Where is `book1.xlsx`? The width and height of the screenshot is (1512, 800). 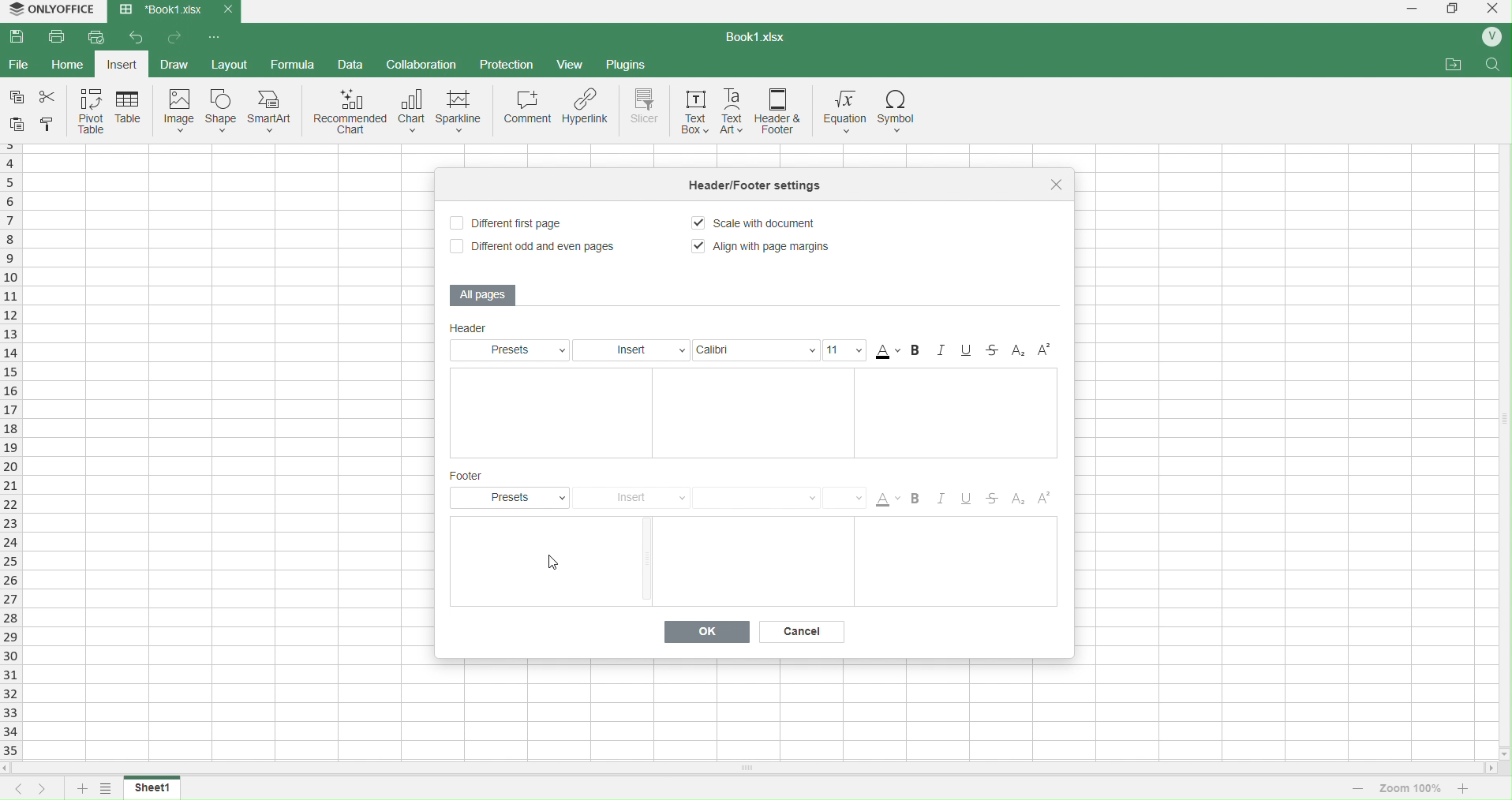 book1.xlsx is located at coordinates (764, 39).